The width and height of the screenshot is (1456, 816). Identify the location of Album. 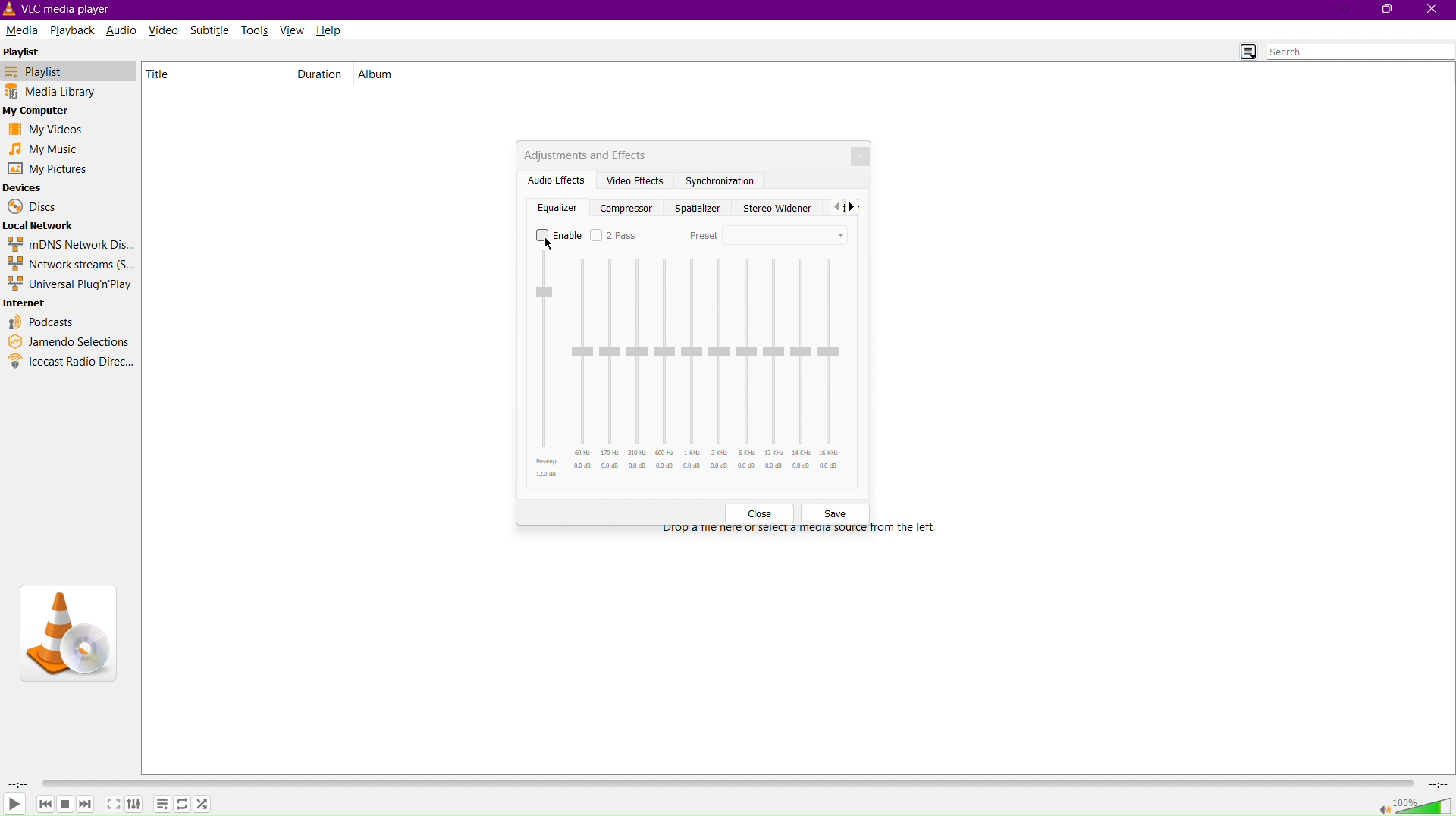
(381, 74).